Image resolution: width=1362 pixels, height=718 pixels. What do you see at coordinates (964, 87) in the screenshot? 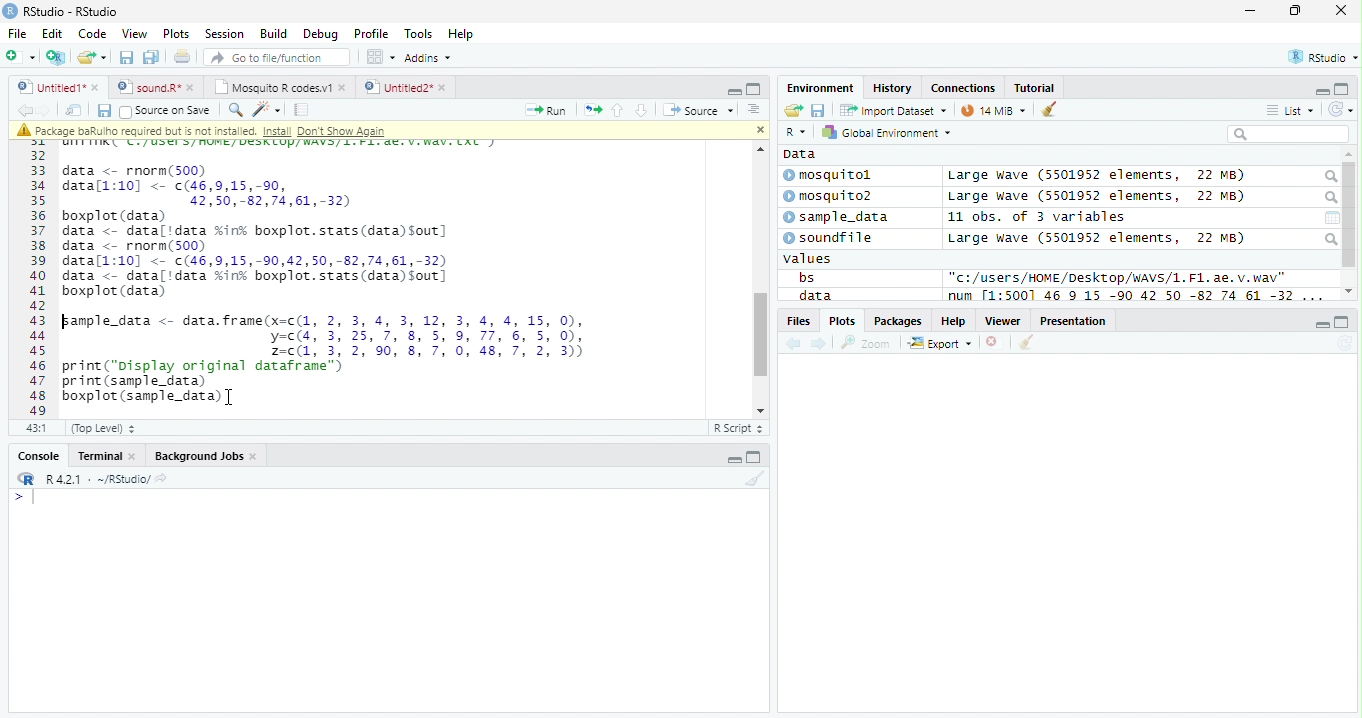
I see `Connections` at bounding box center [964, 87].